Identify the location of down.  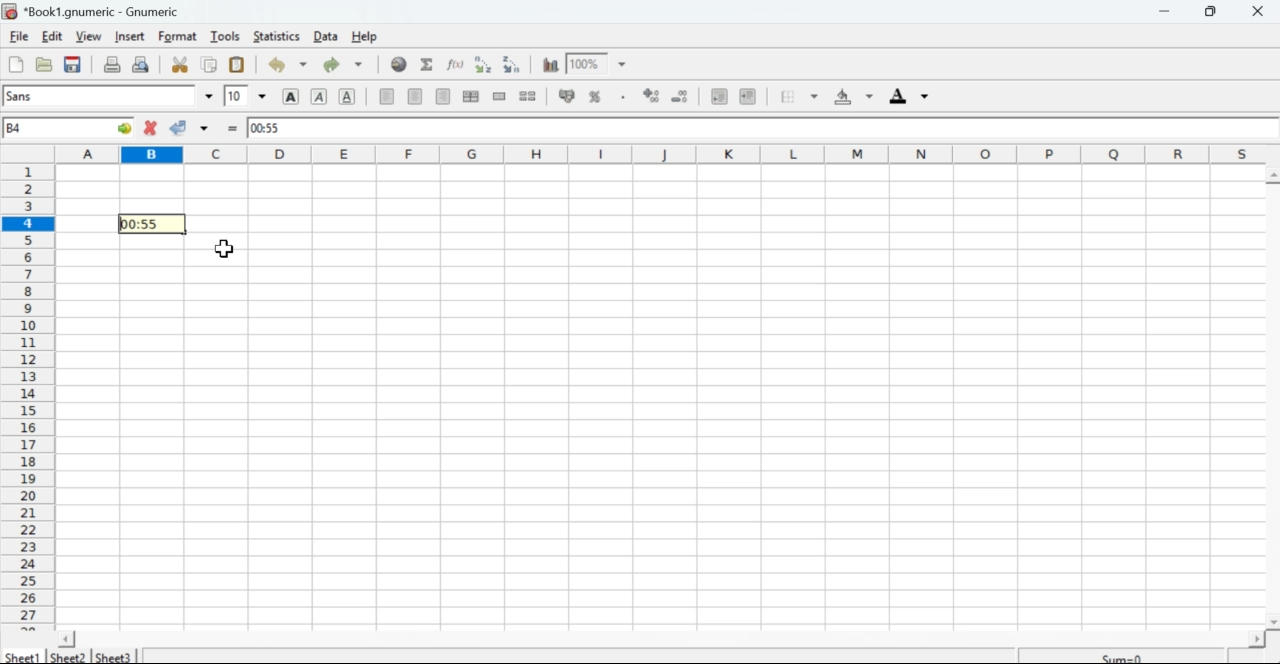
(208, 93).